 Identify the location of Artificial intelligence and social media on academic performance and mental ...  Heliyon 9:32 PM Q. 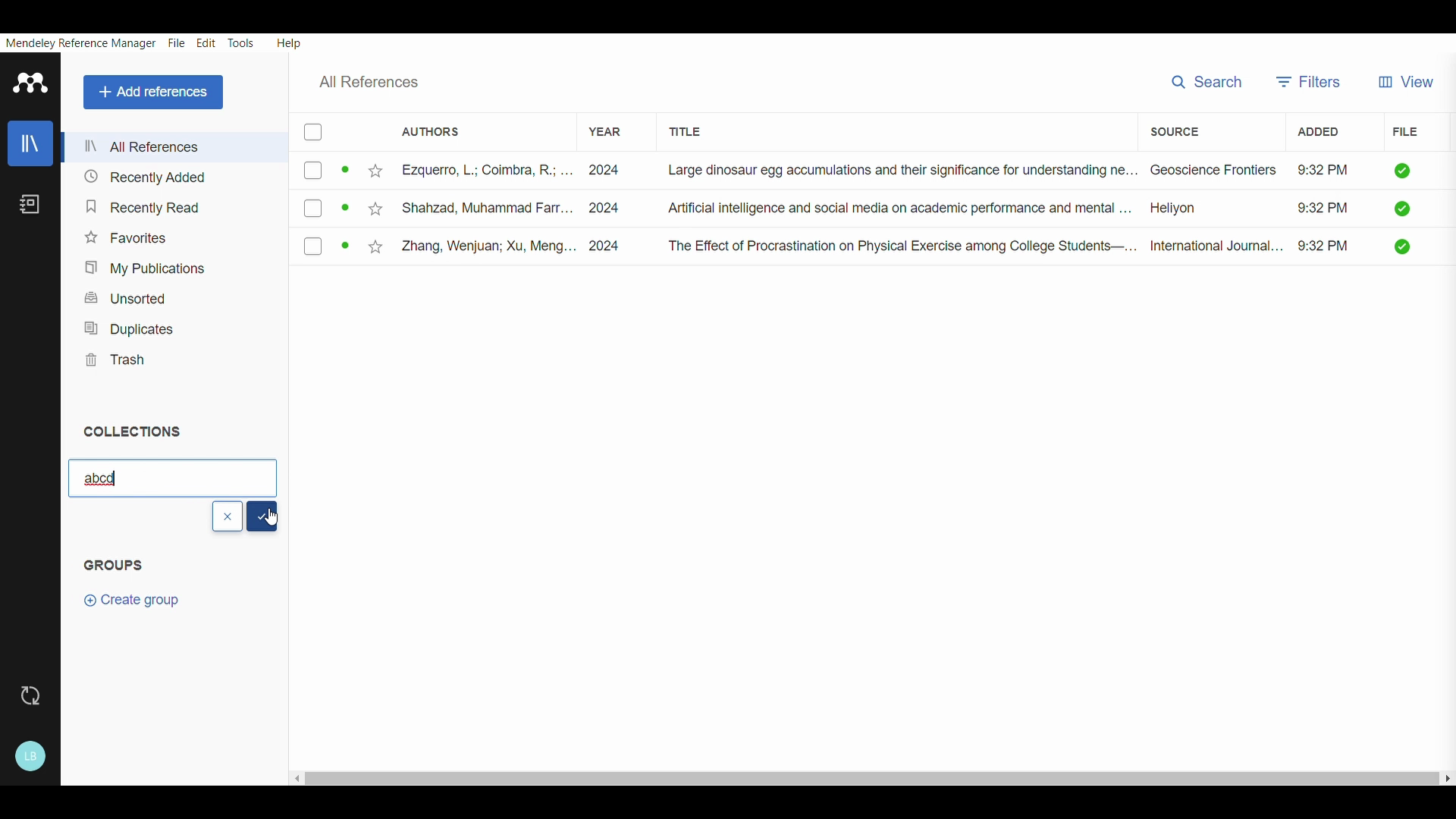
(1034, 211).